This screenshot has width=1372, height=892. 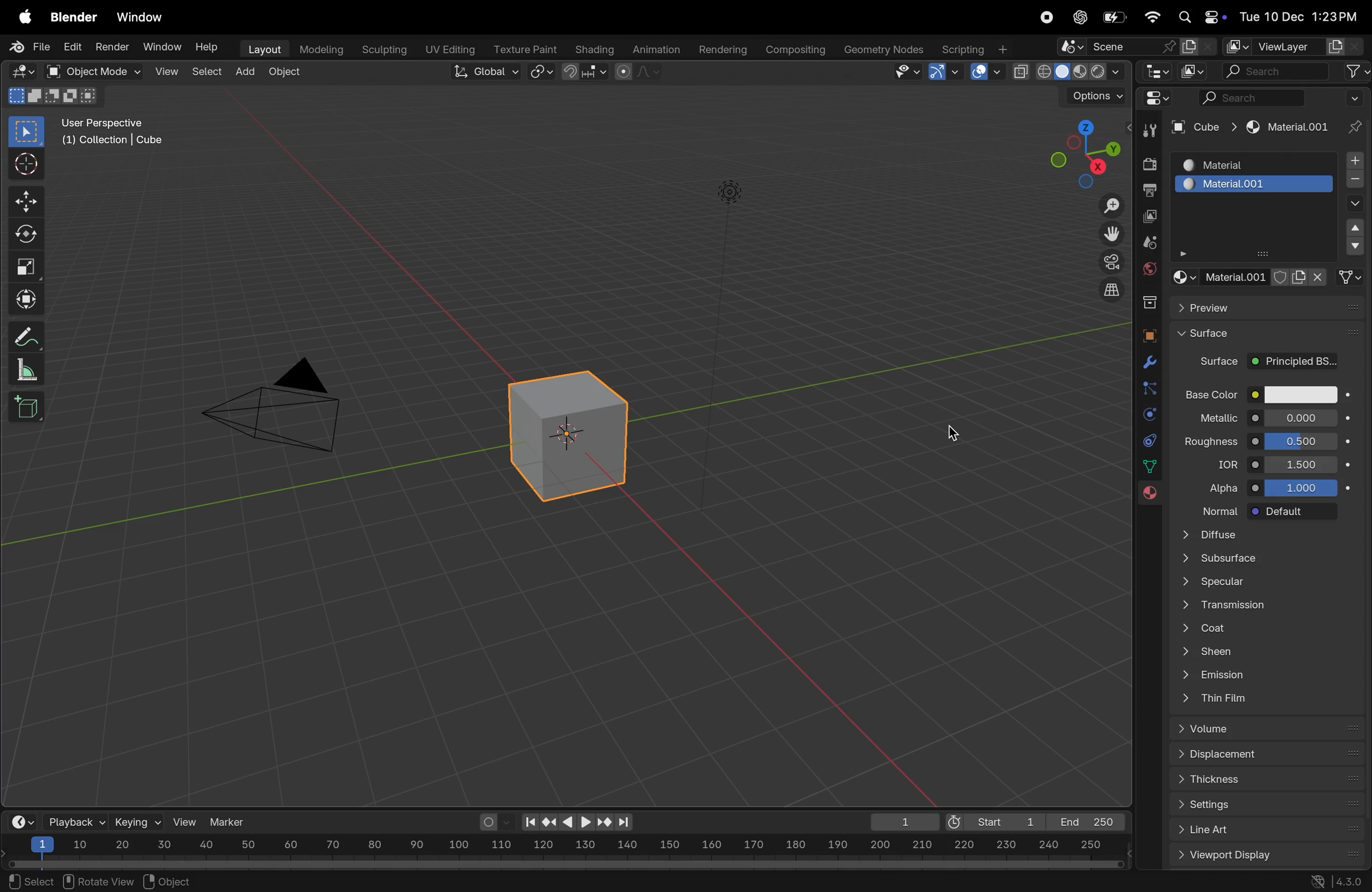 What do you see at coordinates (1352, 182) in the screenshot?
I see `subtarct material` at bounding box center [1352, 182].